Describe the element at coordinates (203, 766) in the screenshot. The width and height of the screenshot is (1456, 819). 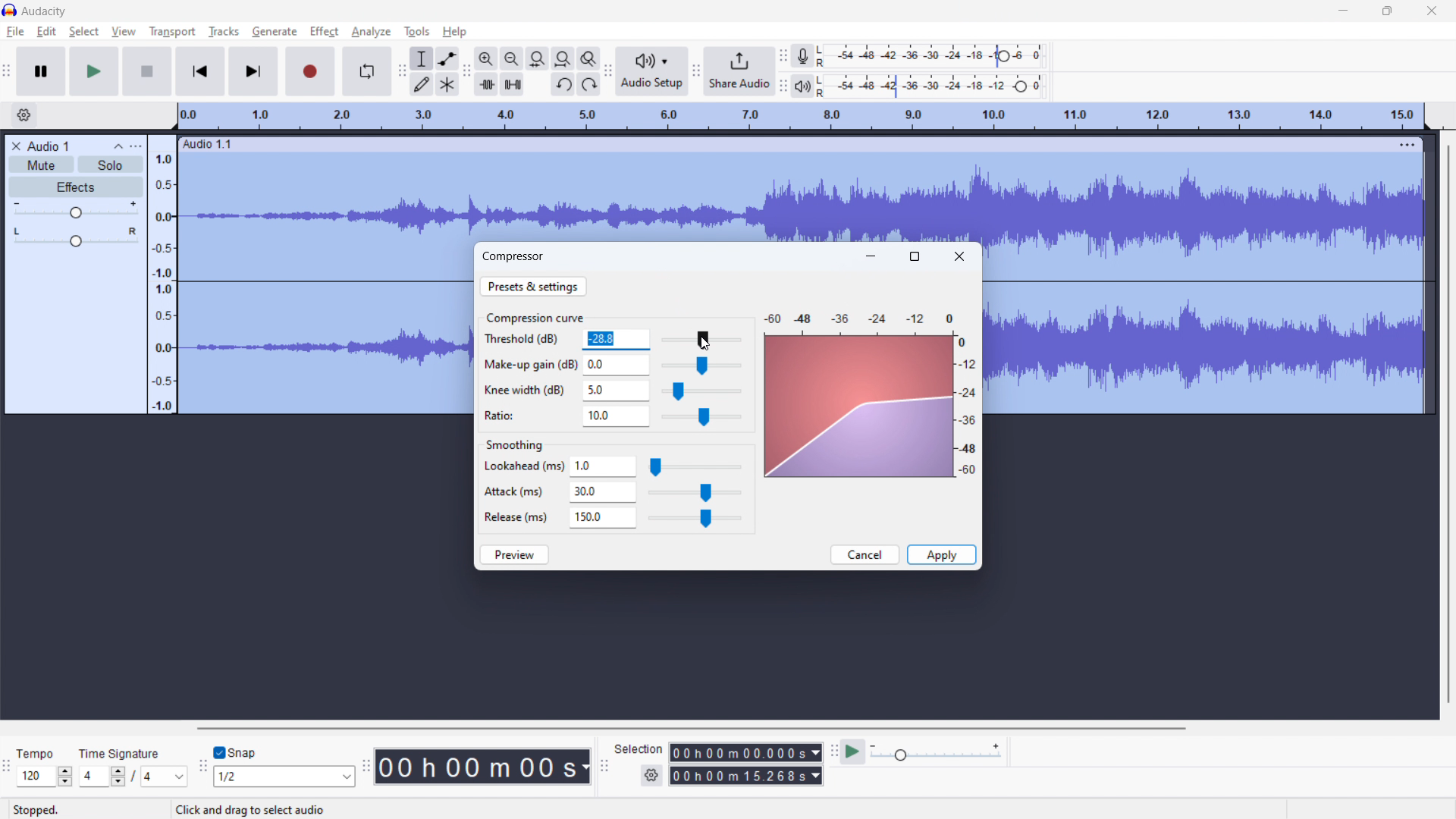
I see `snapping toolbar` at that location.